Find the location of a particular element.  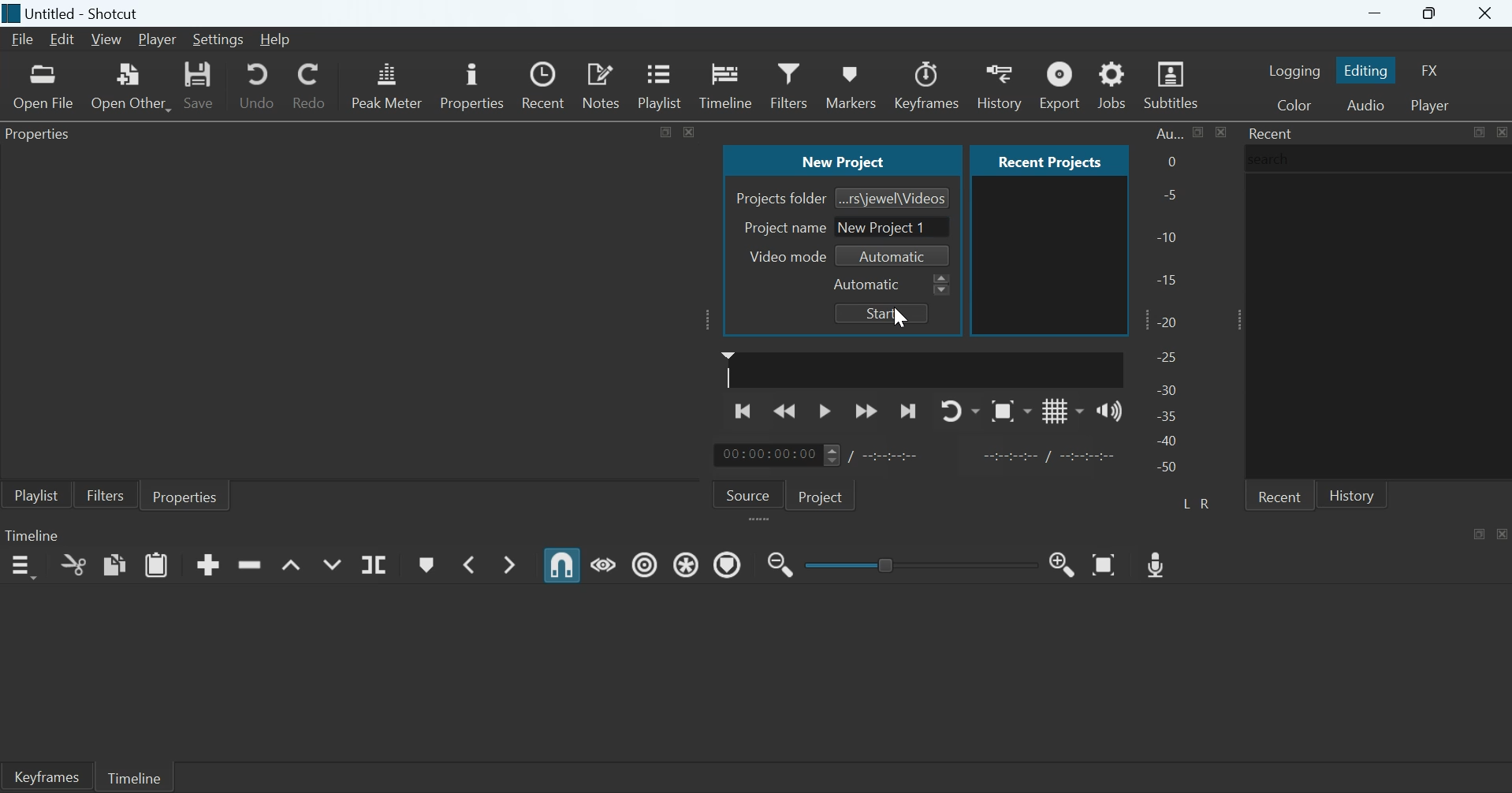

Start marker/End marker is located at coordinates (1052, 454).